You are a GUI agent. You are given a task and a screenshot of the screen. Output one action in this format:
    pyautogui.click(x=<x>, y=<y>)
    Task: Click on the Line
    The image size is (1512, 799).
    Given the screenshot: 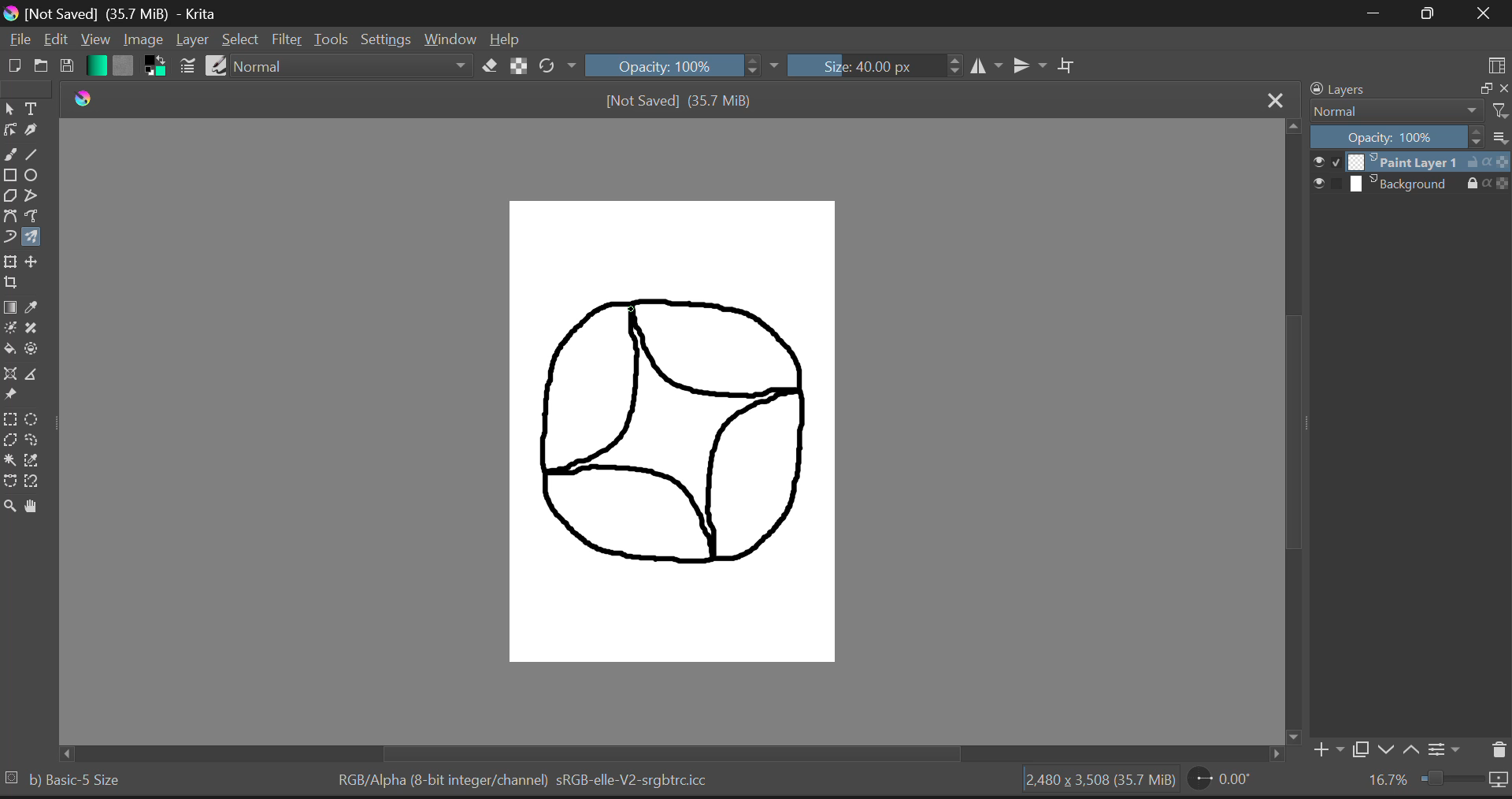 What is the action you would take?
    pyautogui.click(x=35, y=152)
    